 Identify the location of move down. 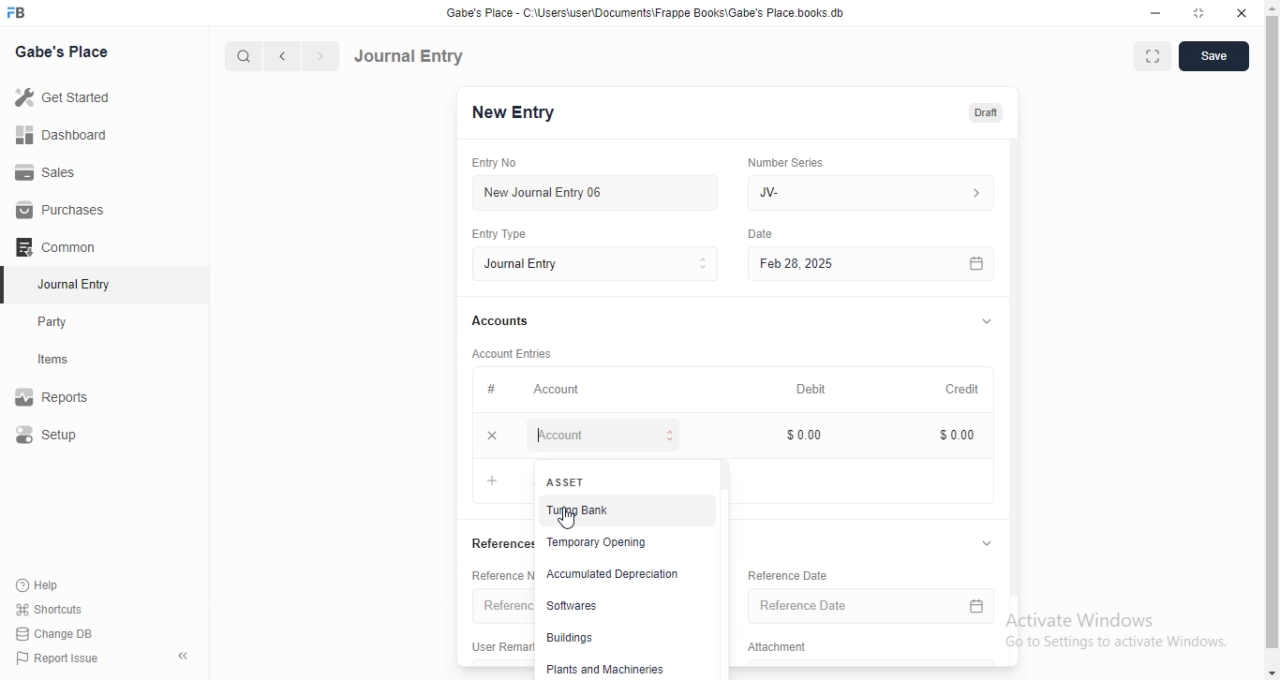
(1272, 673).